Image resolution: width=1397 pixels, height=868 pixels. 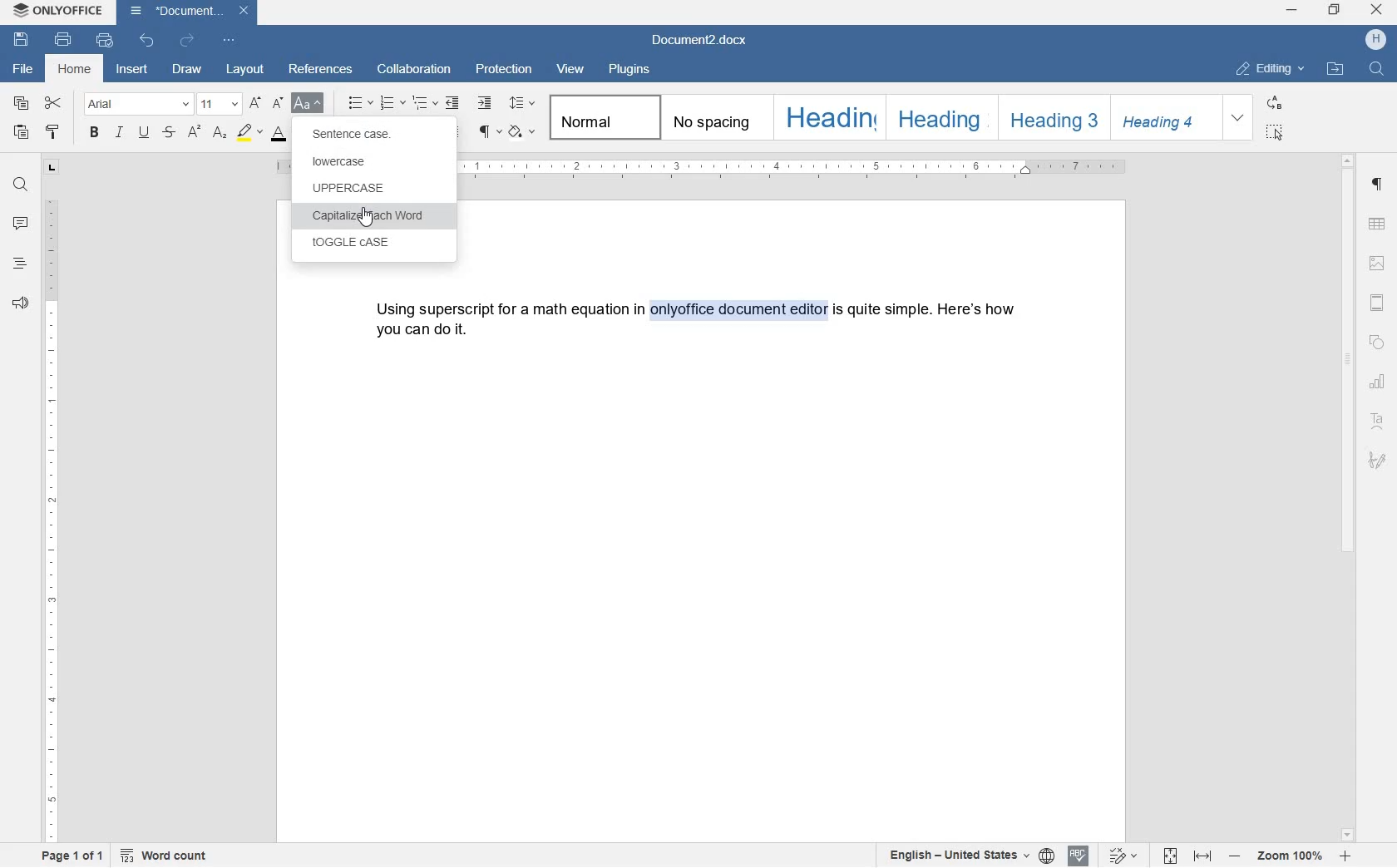 I want to click on subscript, so click(x=219, y=134).